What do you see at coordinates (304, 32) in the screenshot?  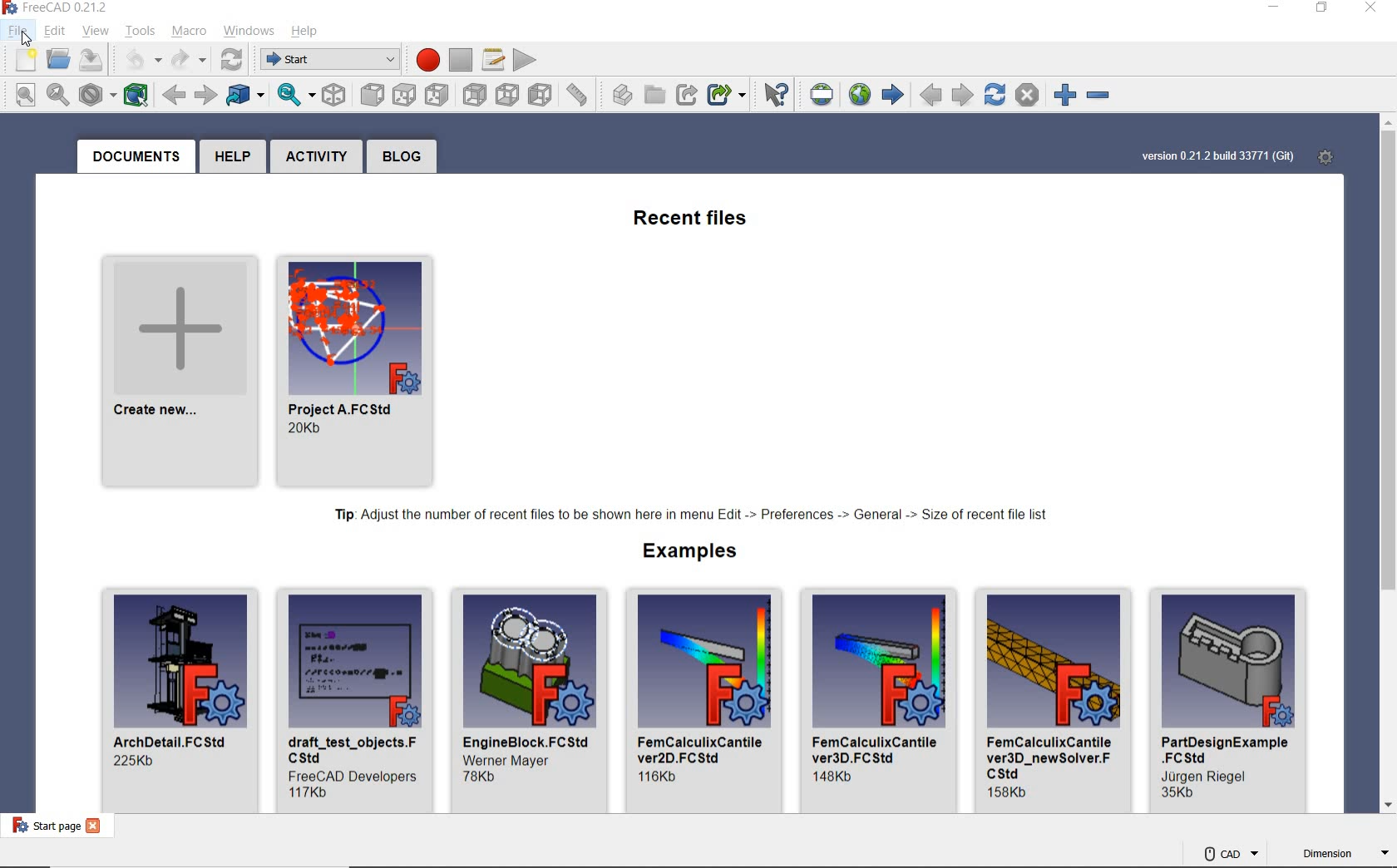 I see `HELP` at bounding box center [304, 32].